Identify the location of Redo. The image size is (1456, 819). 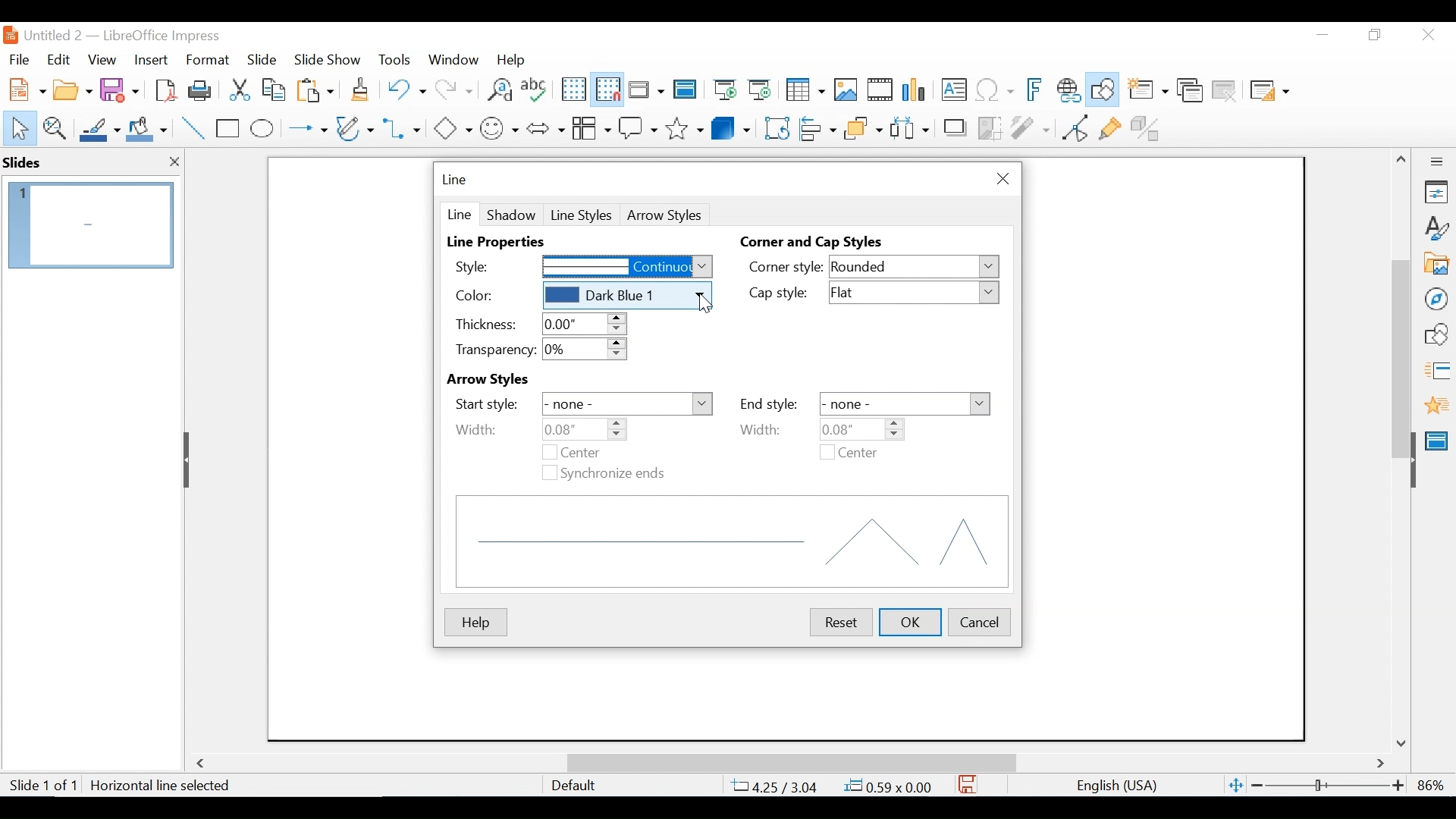
(452, 88).